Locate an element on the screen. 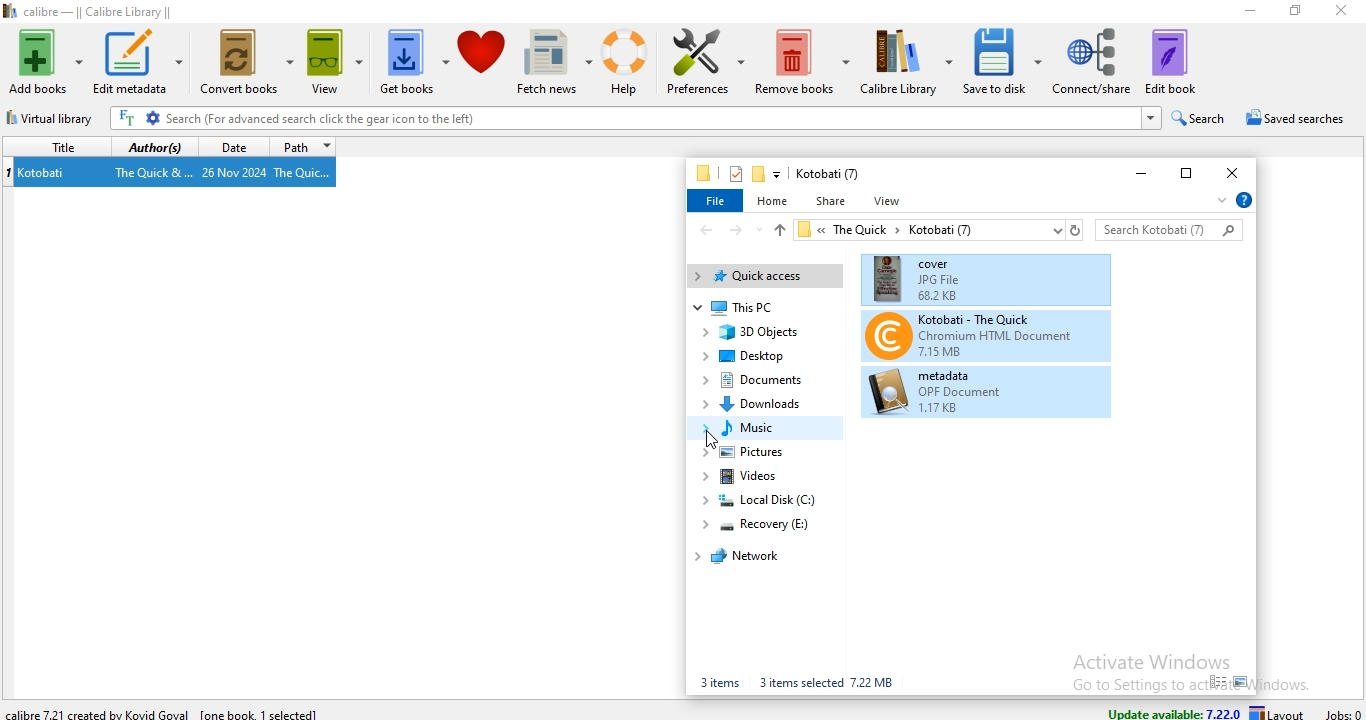 This screenshot has width=1366, height=720. calibre 7.22.1 created by Kovid Goyal [one book 1 selected] is located at coordinates (167, 712).